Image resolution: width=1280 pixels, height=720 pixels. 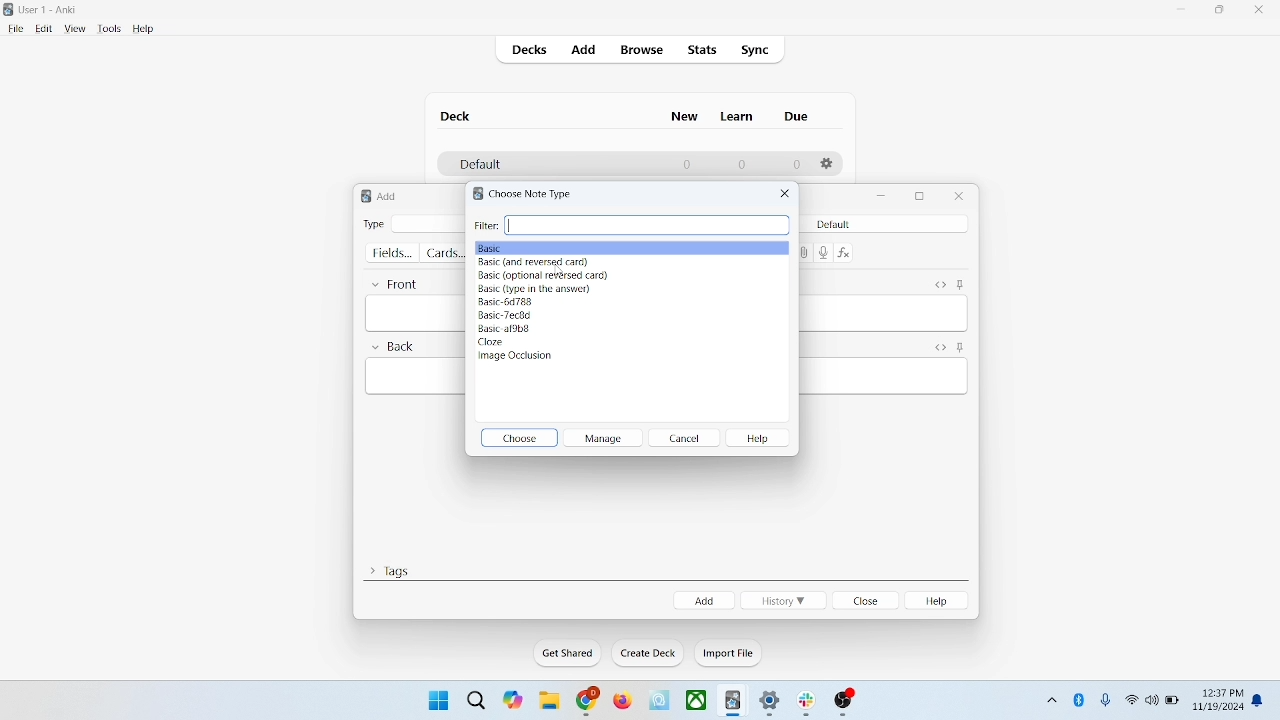 What do you see at coordinates (940, 601) in the screenshot?
I see `help` at bounding box center [940, 601].